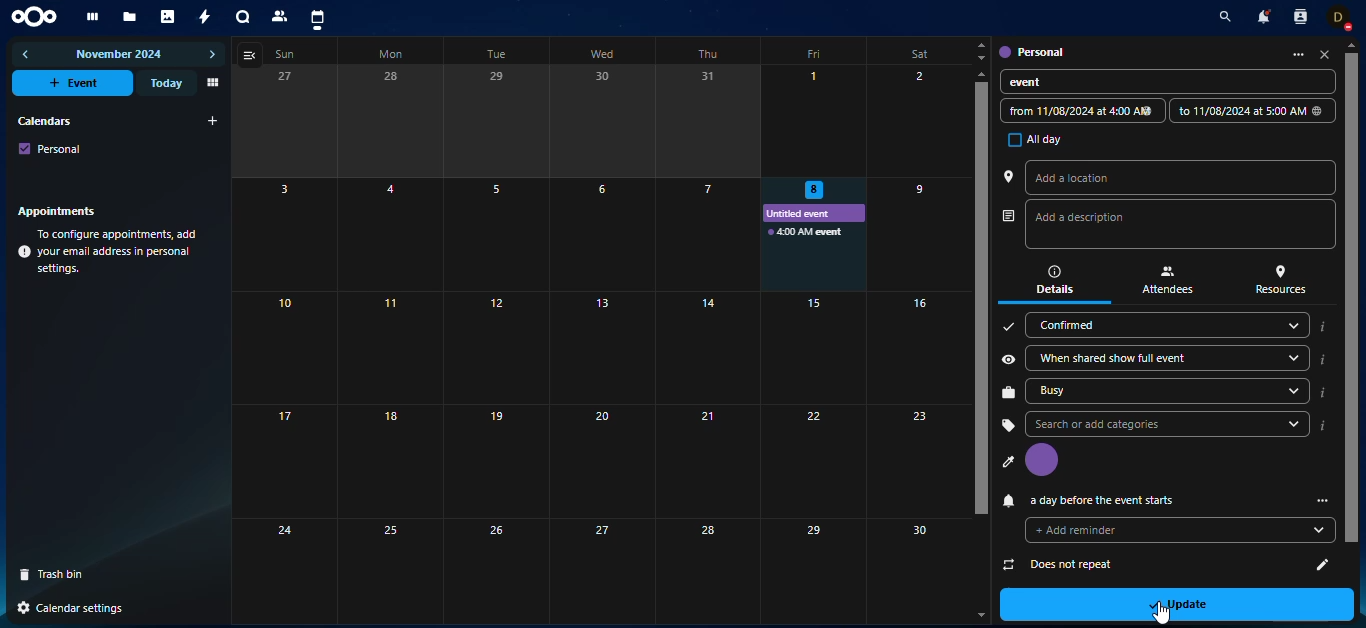  What do you see at coordinates (601, 233) in the screenshot?
I see `6` at bounding box center [601, 233].